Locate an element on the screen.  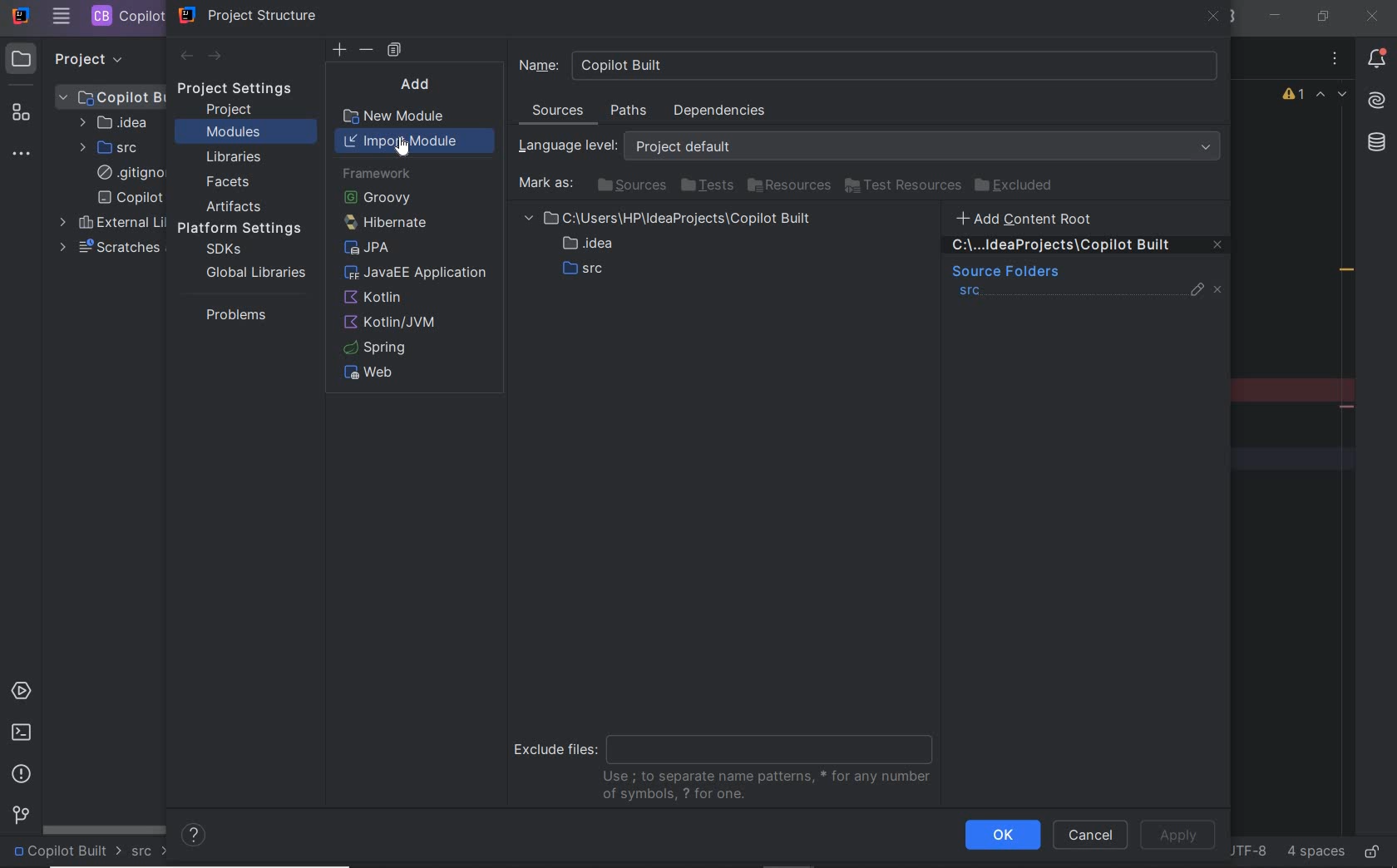
Web is located at coordinates (373, 373).